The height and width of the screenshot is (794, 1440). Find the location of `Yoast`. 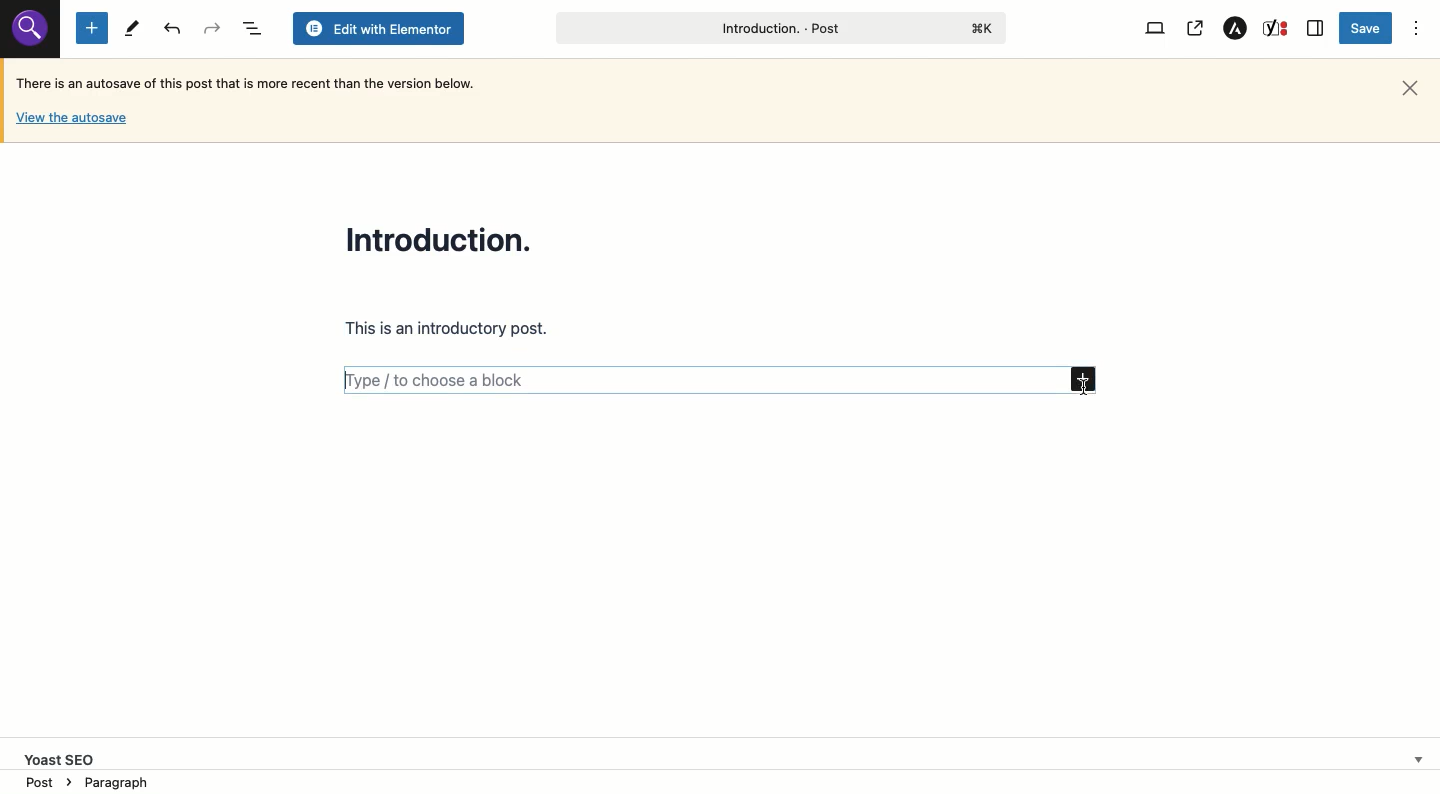

Yoast is located at coordinates (1277, 29).